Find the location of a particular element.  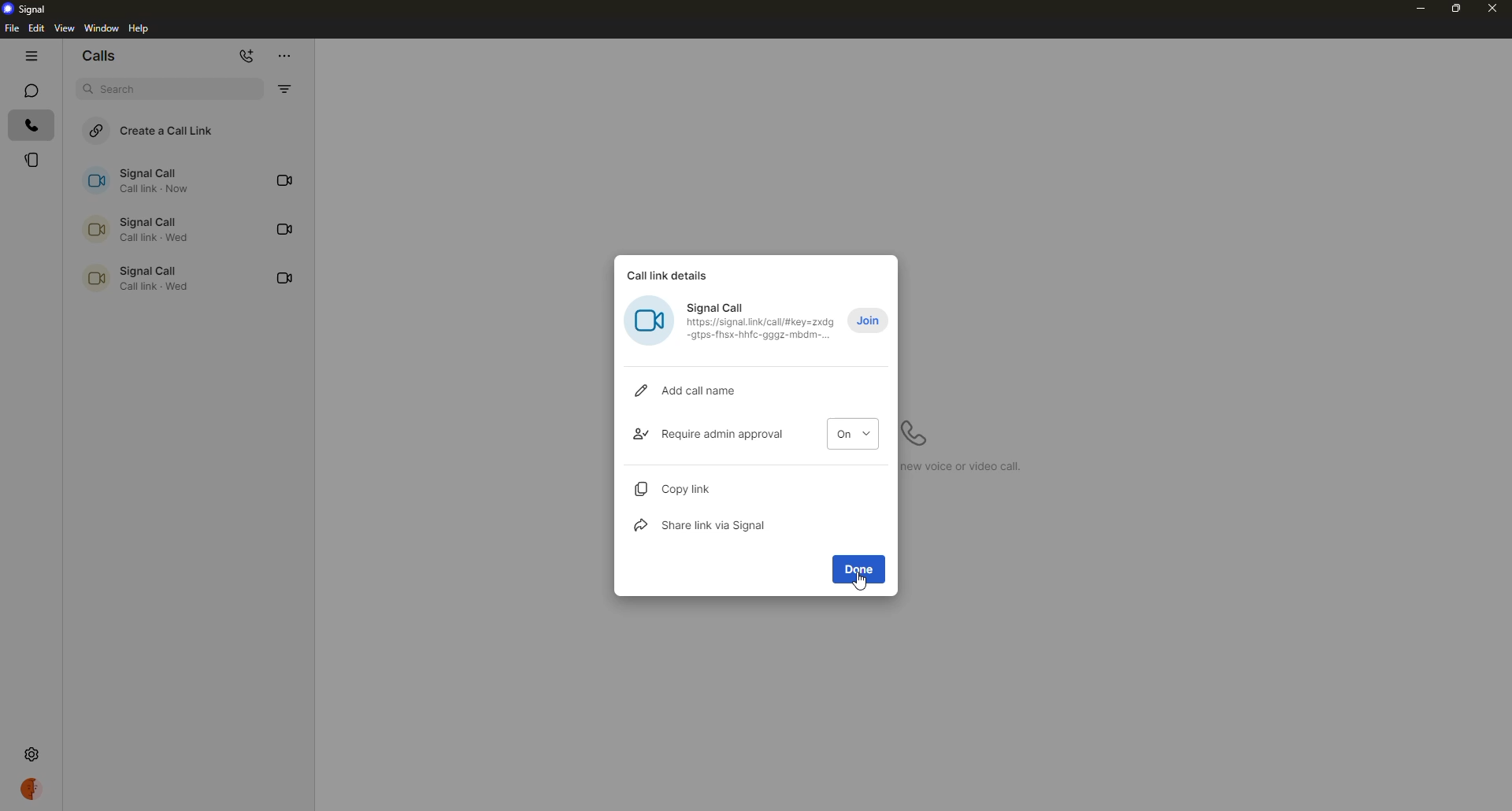

Signal Call
(0 J rer—
Bobo ncdre pm is located at coordinates (729, 323).